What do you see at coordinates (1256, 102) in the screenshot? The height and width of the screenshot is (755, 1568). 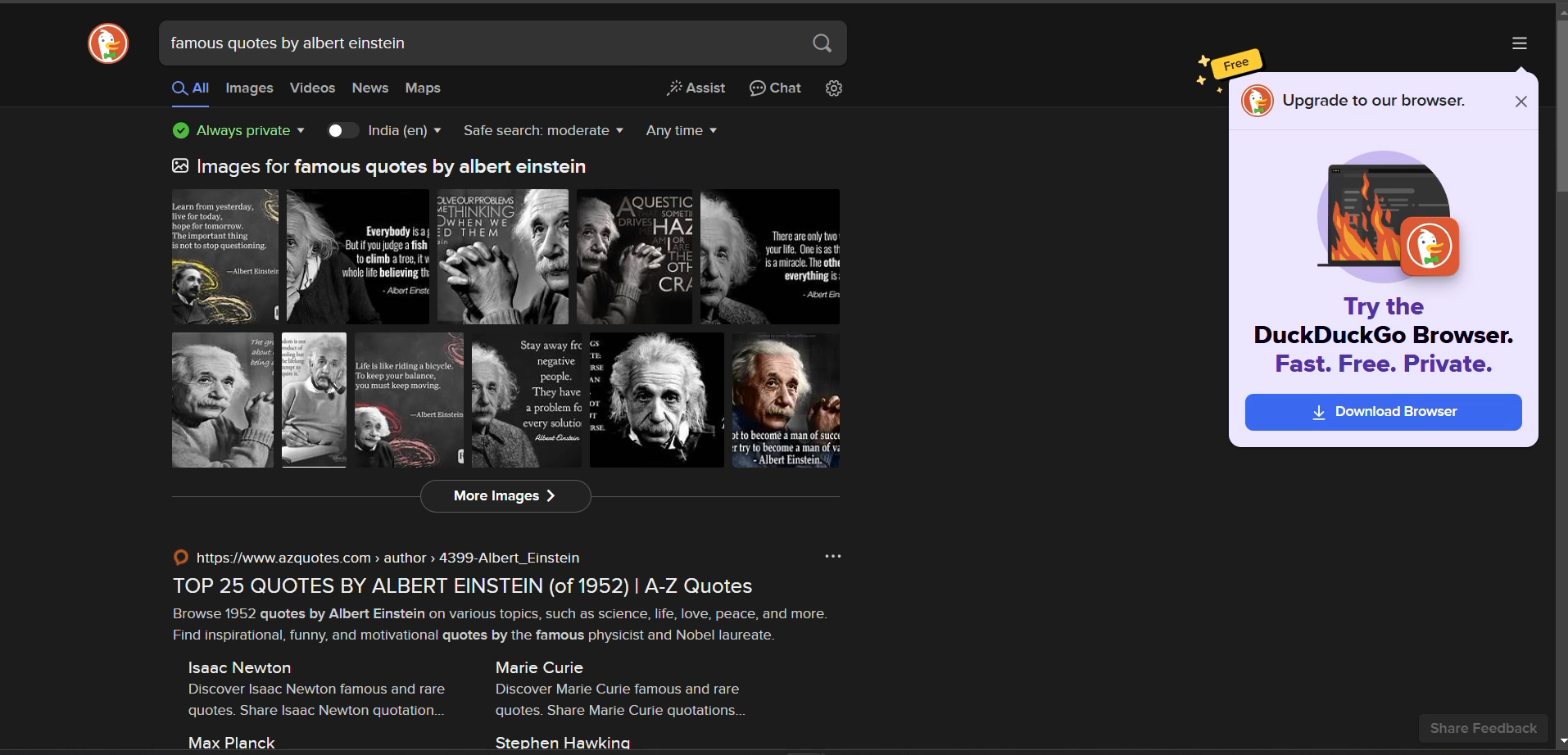 I see `logo` at bounding box center [1256, 102].